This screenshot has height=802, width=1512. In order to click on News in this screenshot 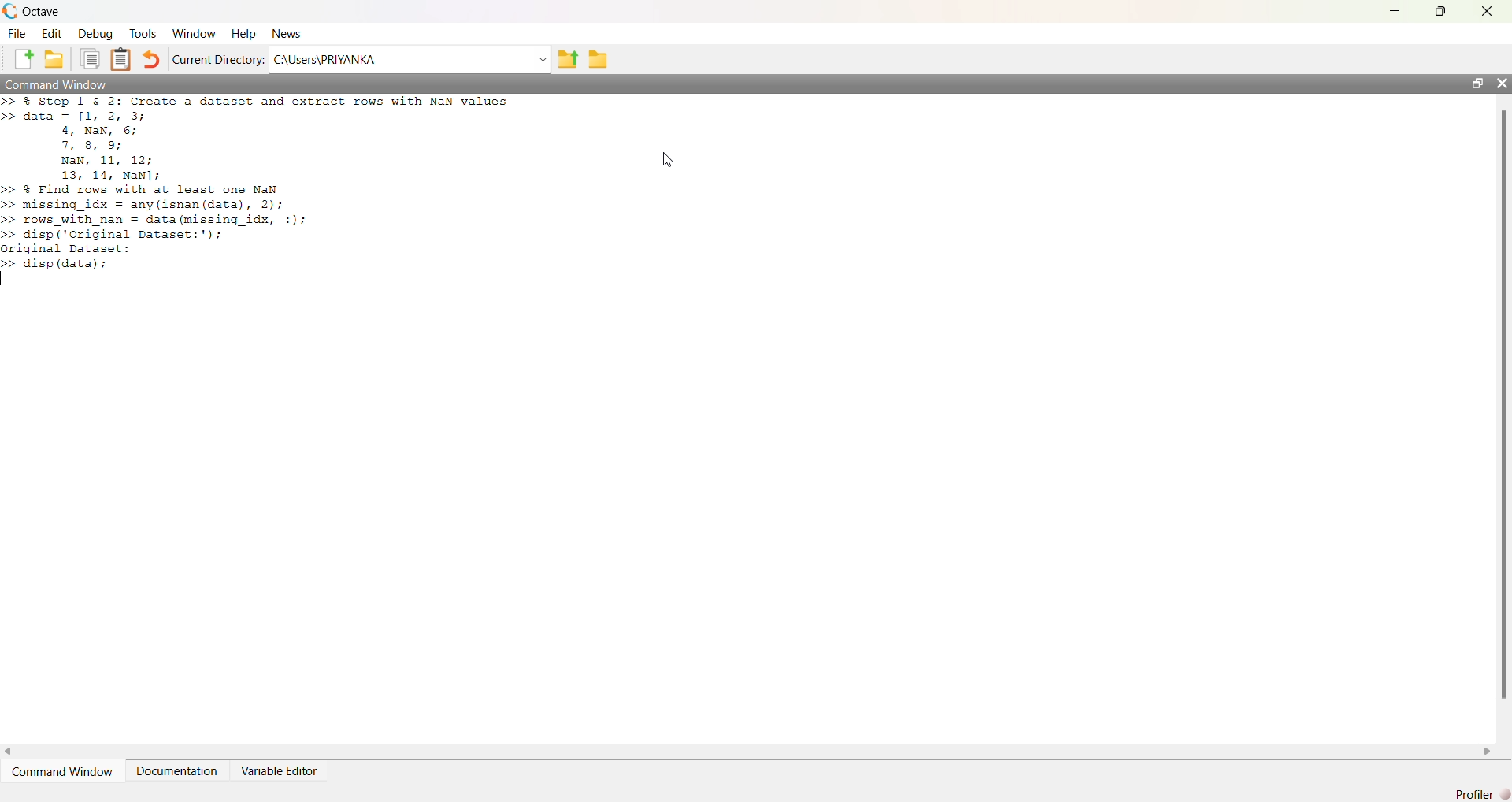, I will do `click(288, 33)`.